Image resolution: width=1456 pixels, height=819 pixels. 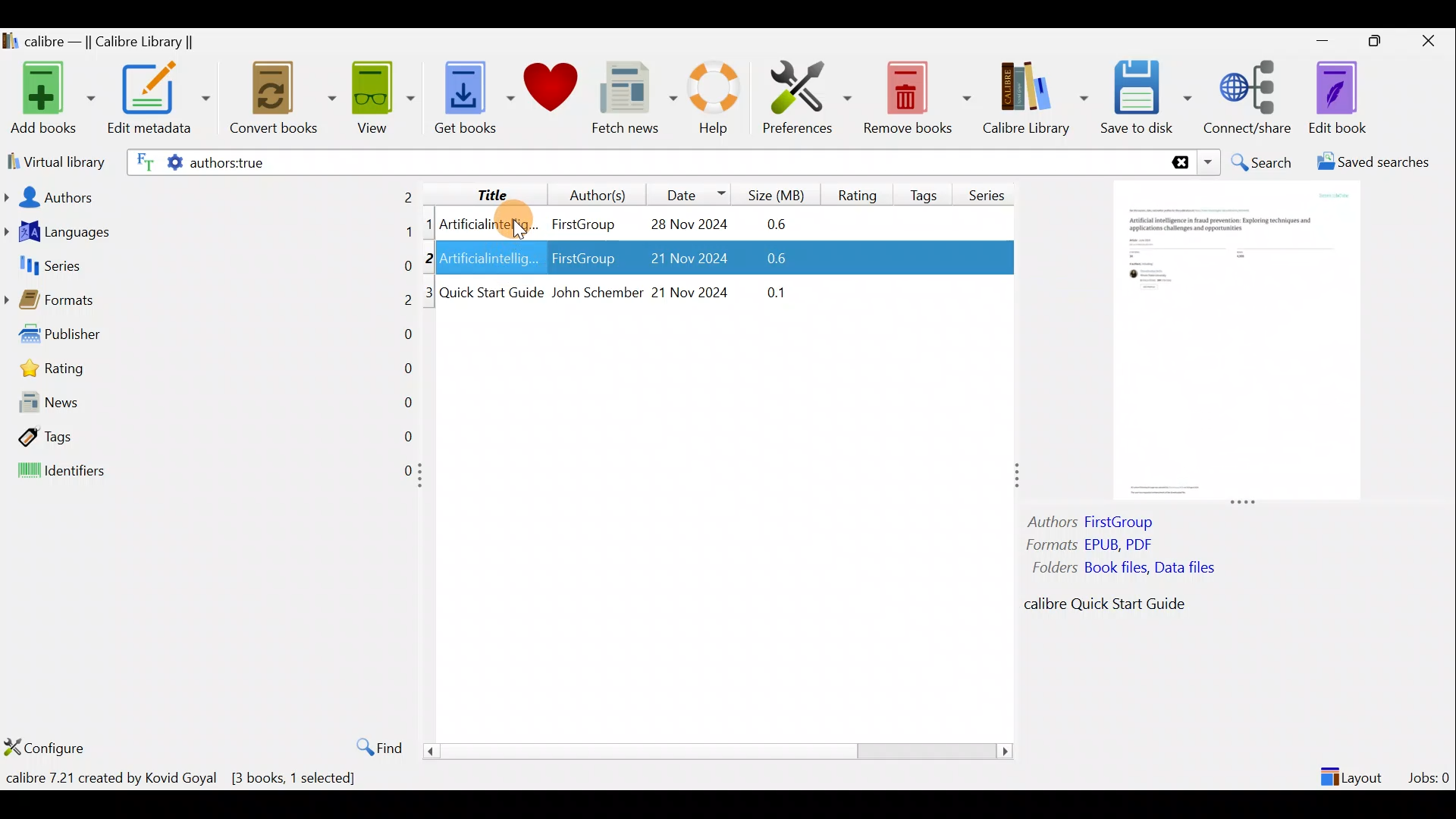 What do you see at coordinates (858, 193) in the screenshot?
I see `Rating` at bounding box center [858, 193].